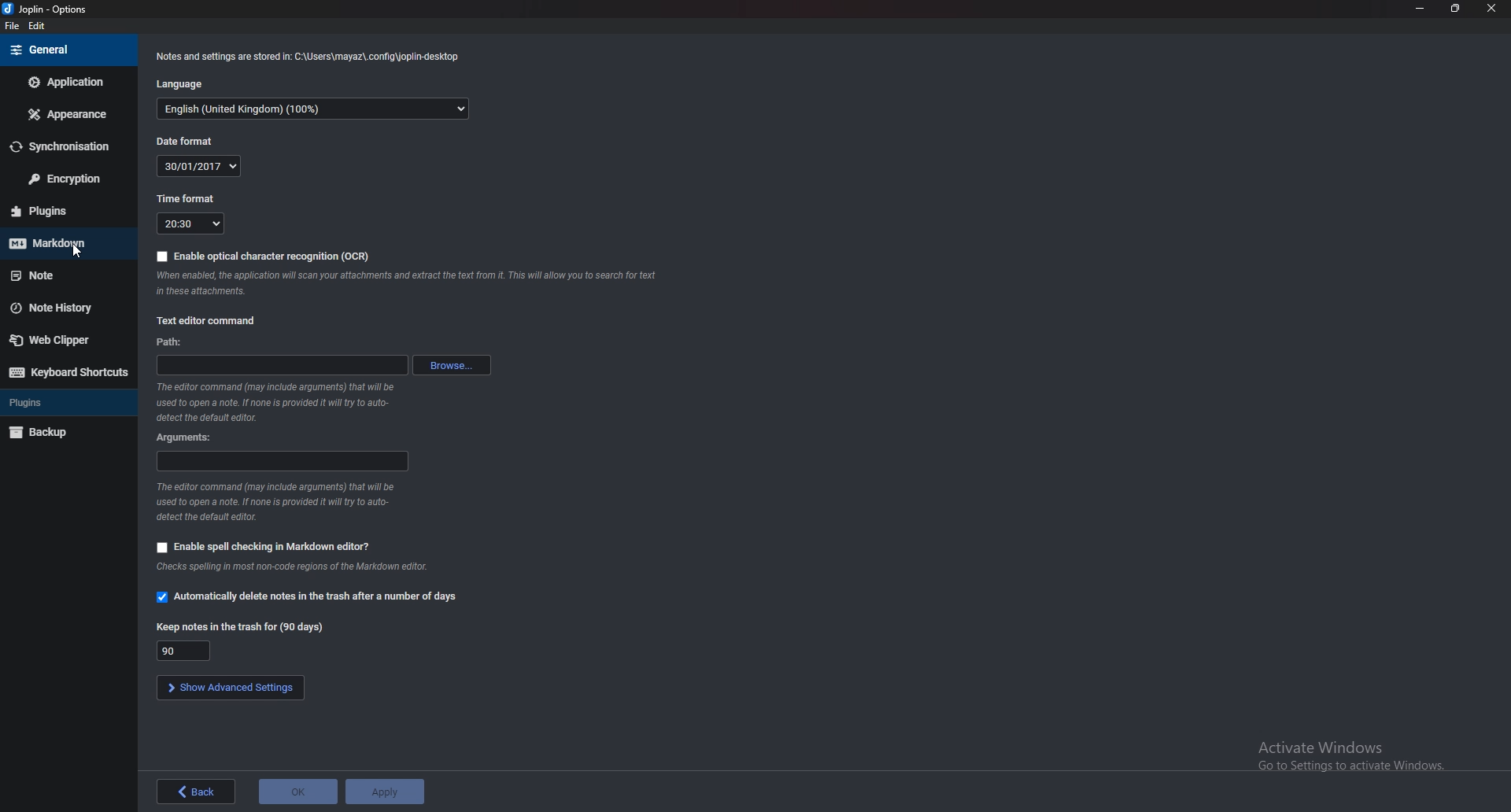 The image size is (1511, 812). I want to click on Activate Windows
Go to Settings to activate Windows., so click(1345, 751).